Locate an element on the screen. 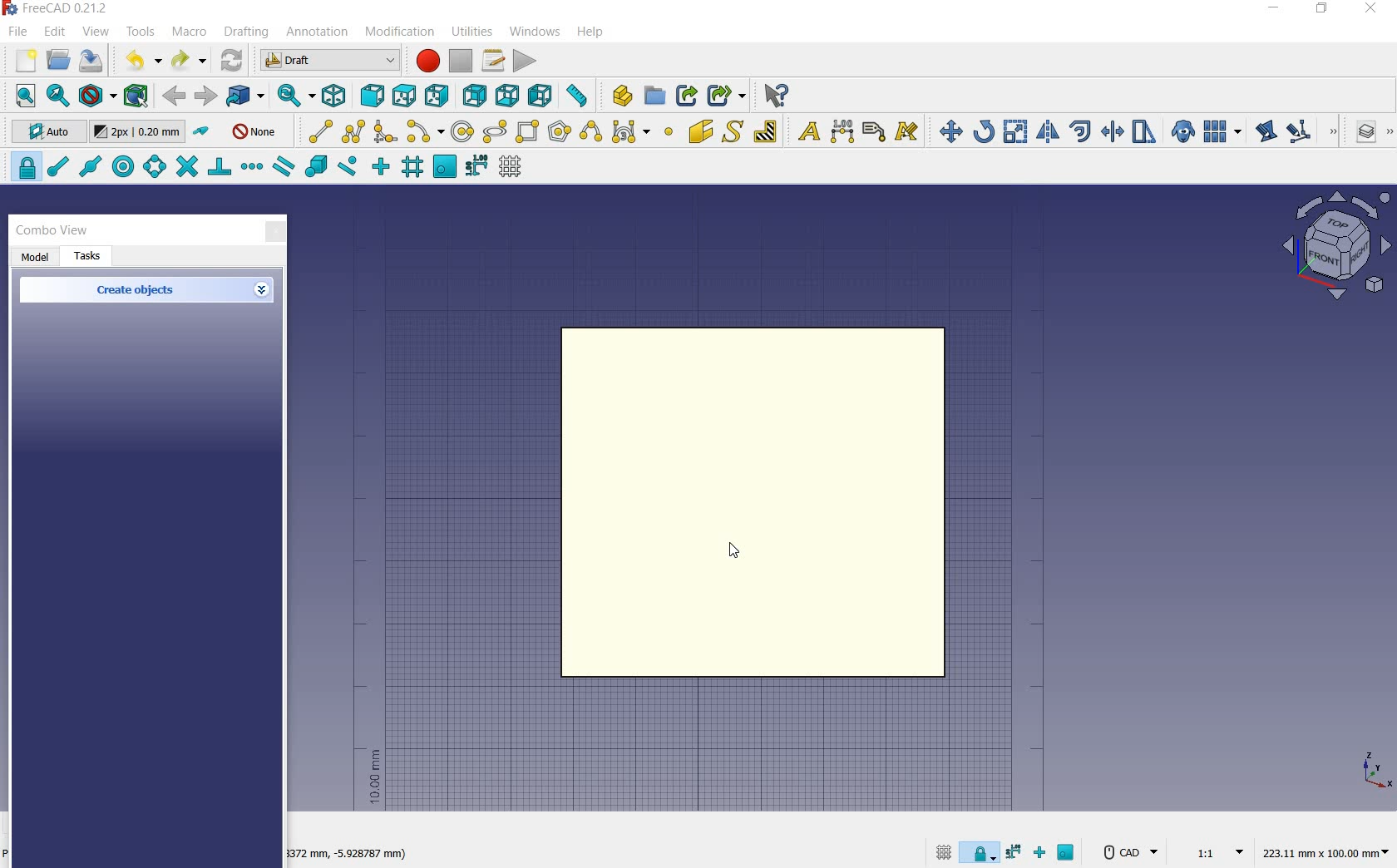 The height and width of the screenshot is (868, 1397). draw style is located at coordinates (97, 96).